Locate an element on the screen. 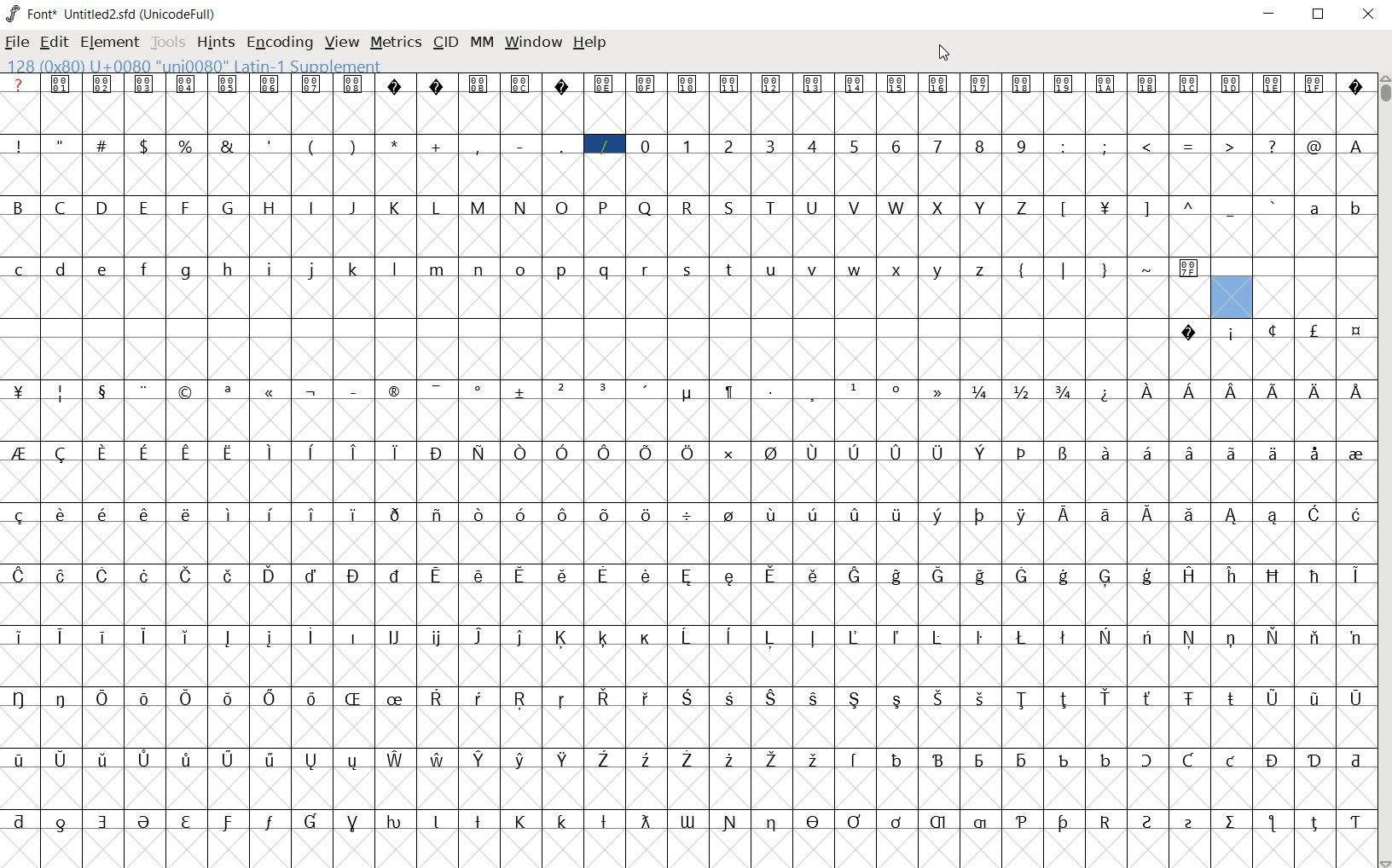 The image size is (1392, 868). glyph is located at coordinates (896, 576).